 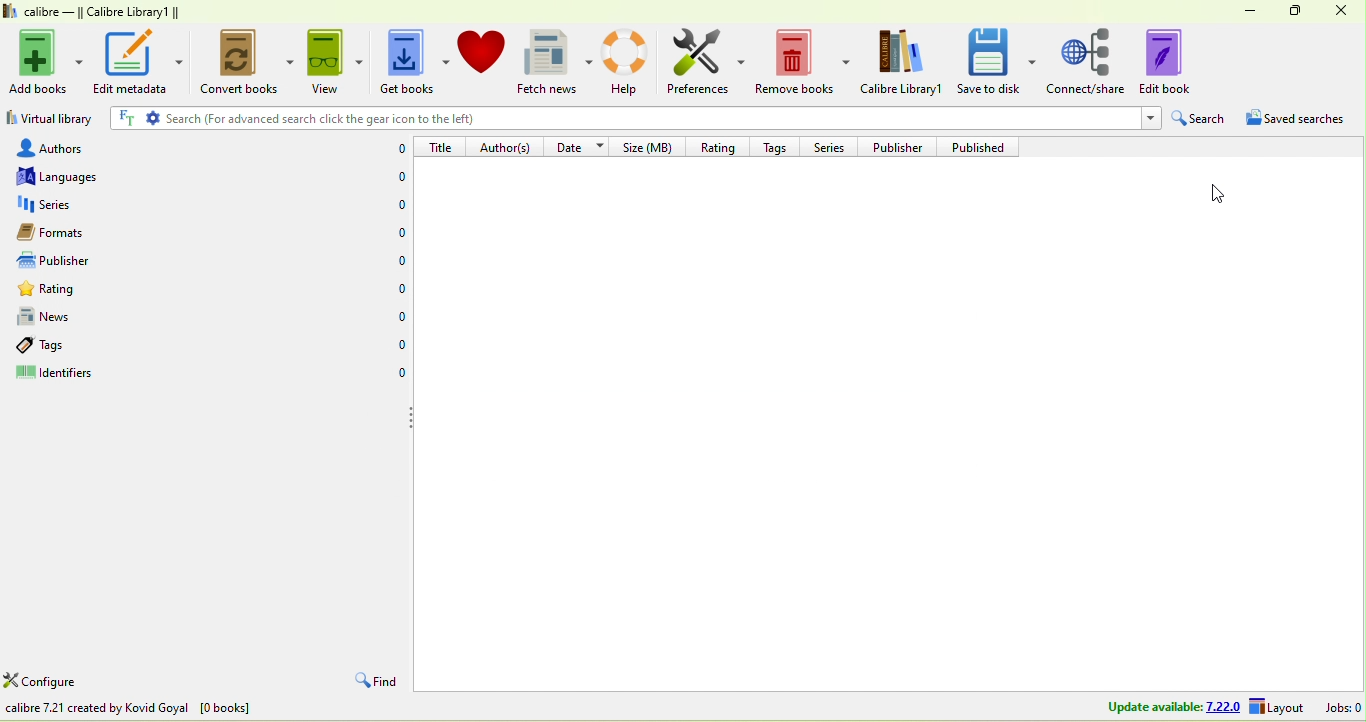 I want to click on find, so click(x=373, y=682).